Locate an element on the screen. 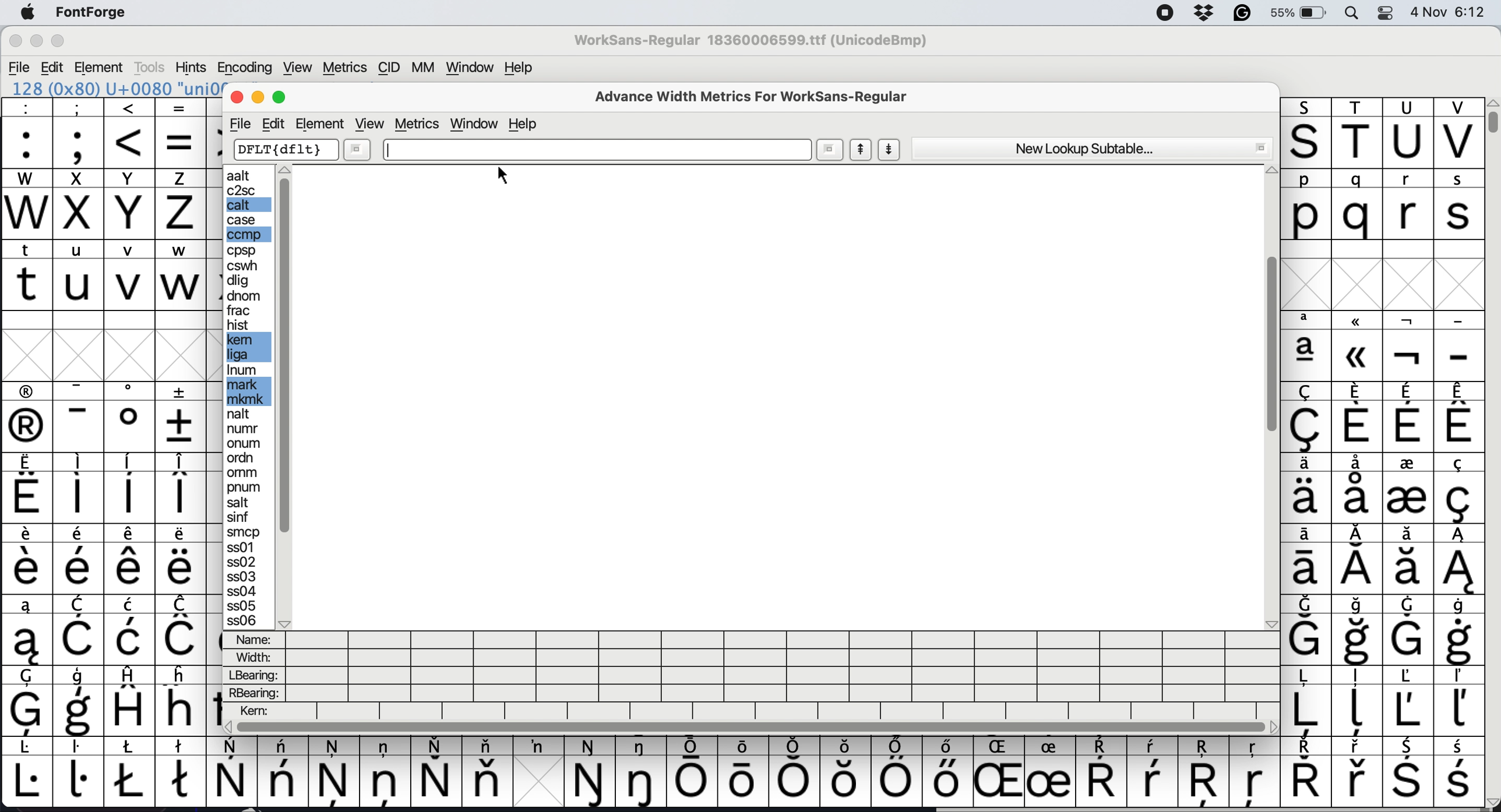 Image resolution: width=1501 pixels, height=812 pixels. Close is located at coordinates (15, 38).